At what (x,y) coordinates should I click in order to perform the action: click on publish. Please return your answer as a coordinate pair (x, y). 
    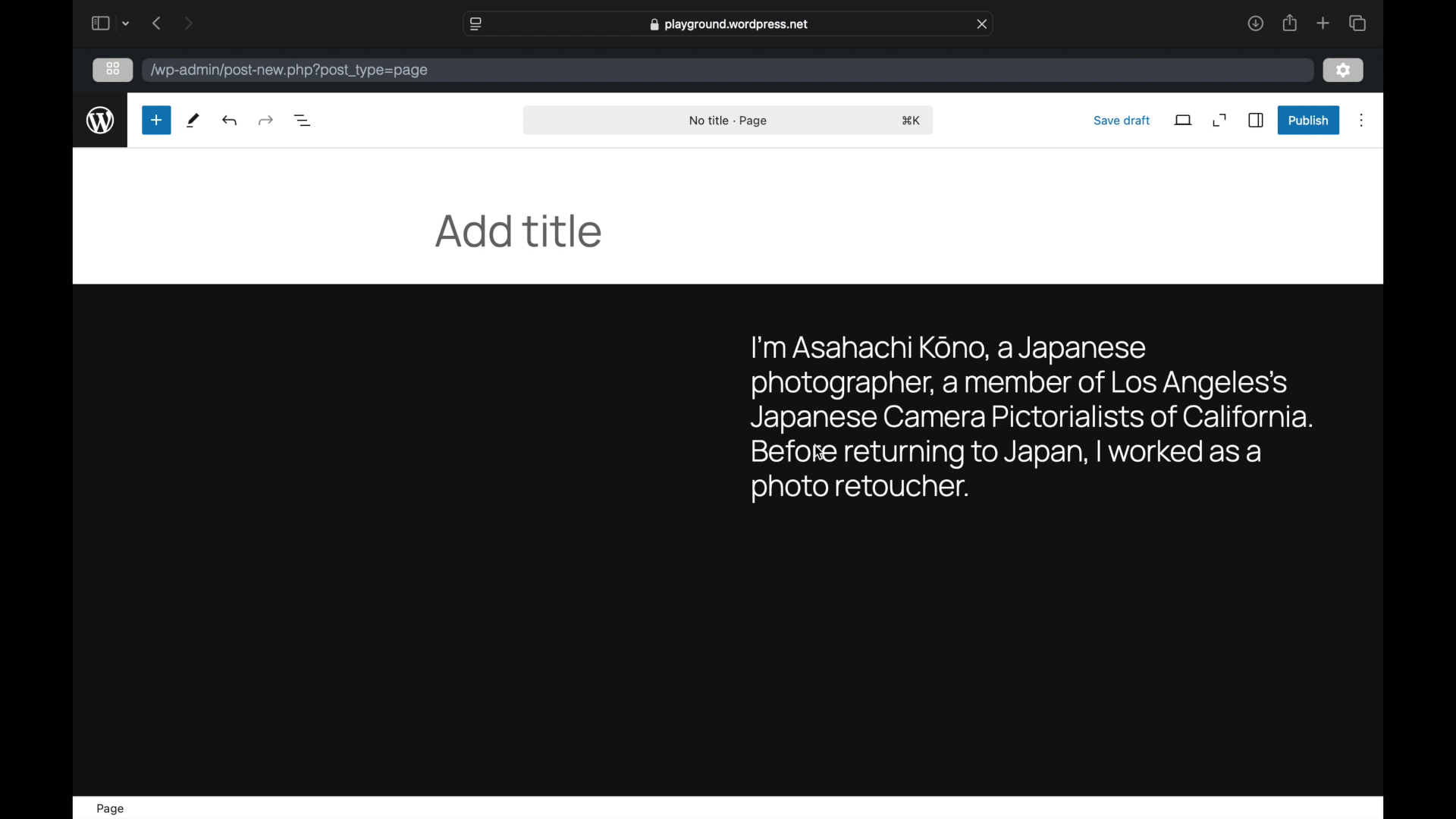
    Looking at the image, I should click on (1309, 120).